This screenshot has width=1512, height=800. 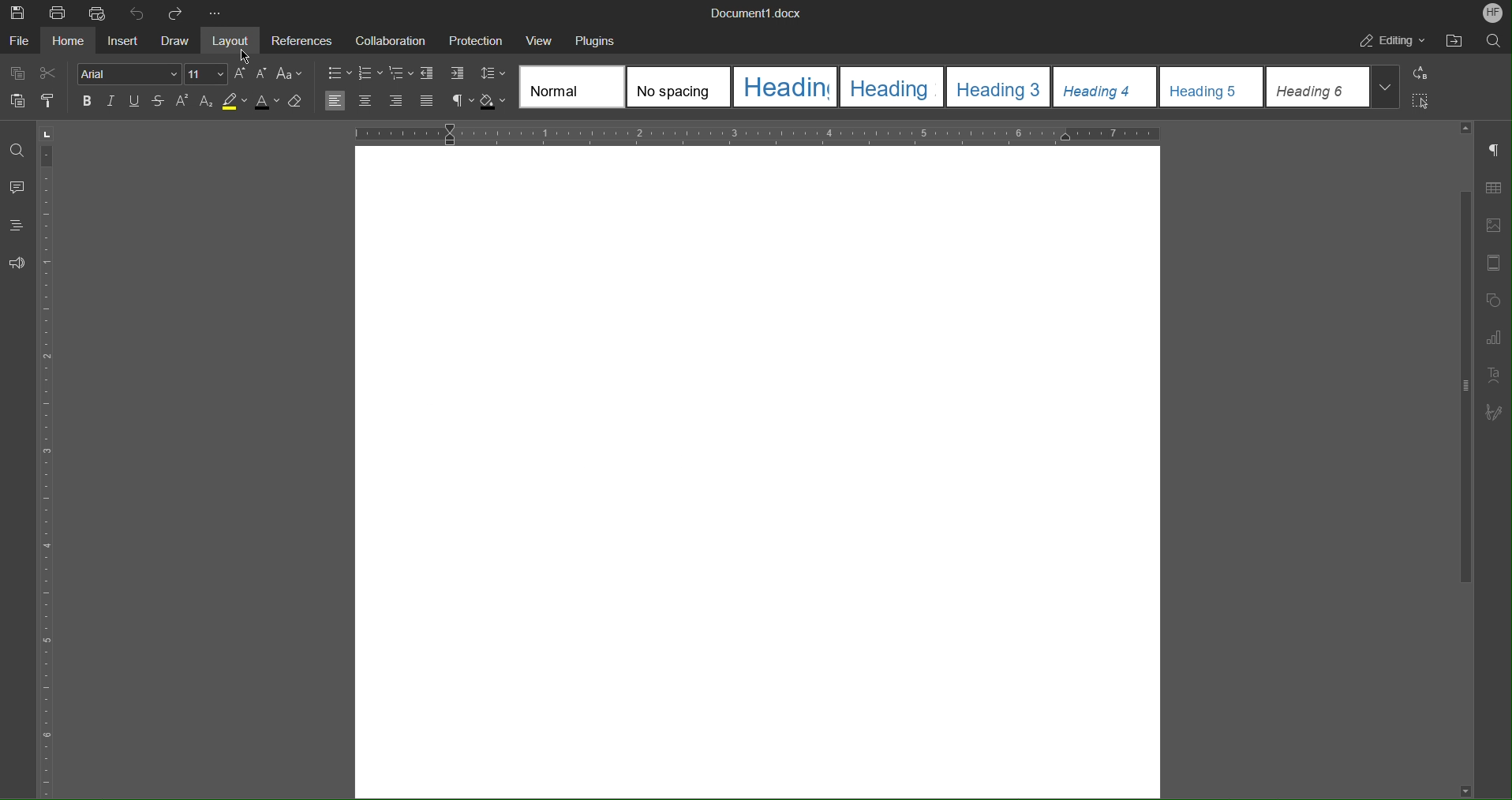 What do you see at coordinates (493, 76) in the screenshot?
I see `Change line distance` at bounding box center [493, 76].